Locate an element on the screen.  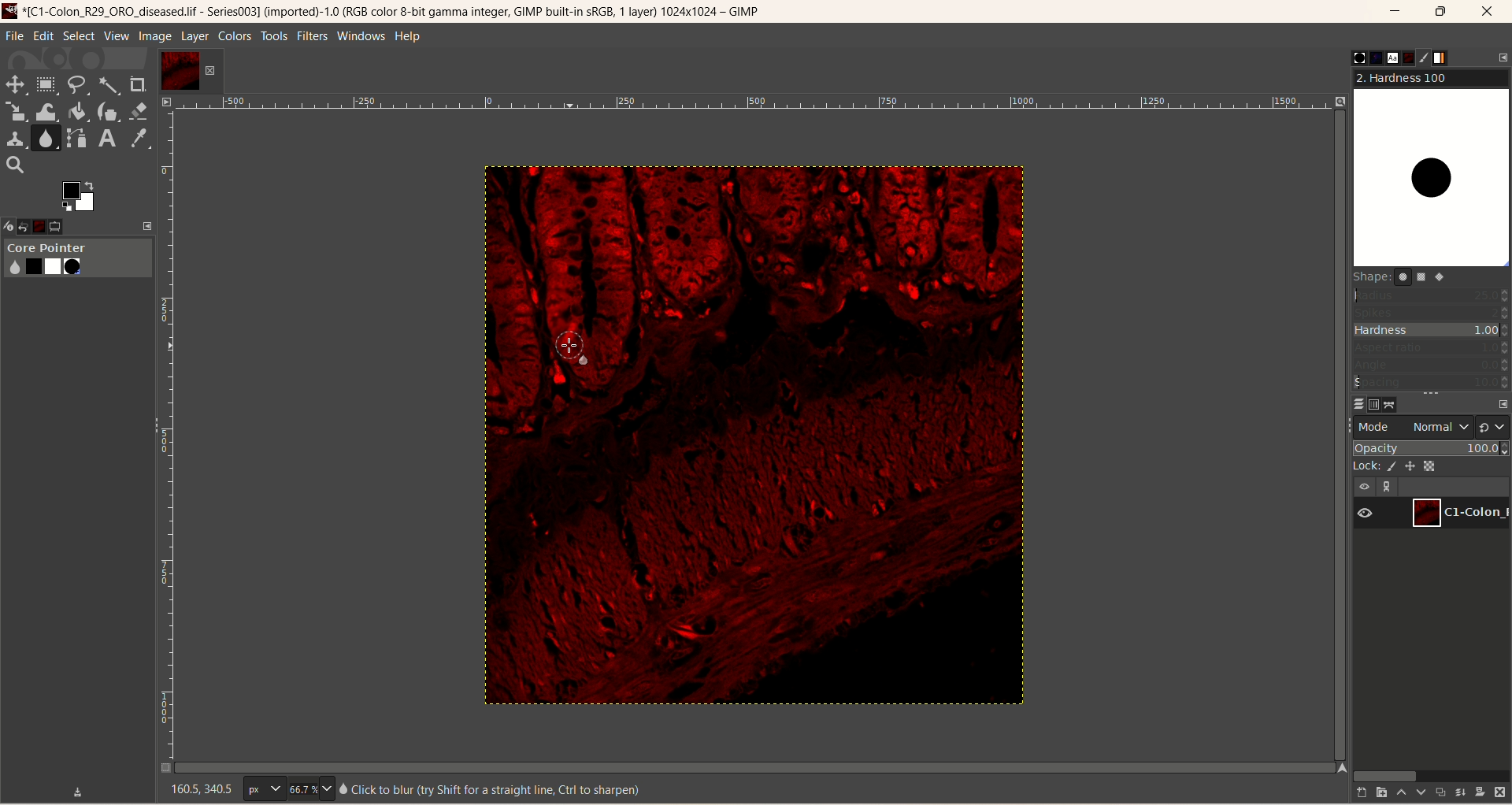
windows is located at coordinates (364, 35).